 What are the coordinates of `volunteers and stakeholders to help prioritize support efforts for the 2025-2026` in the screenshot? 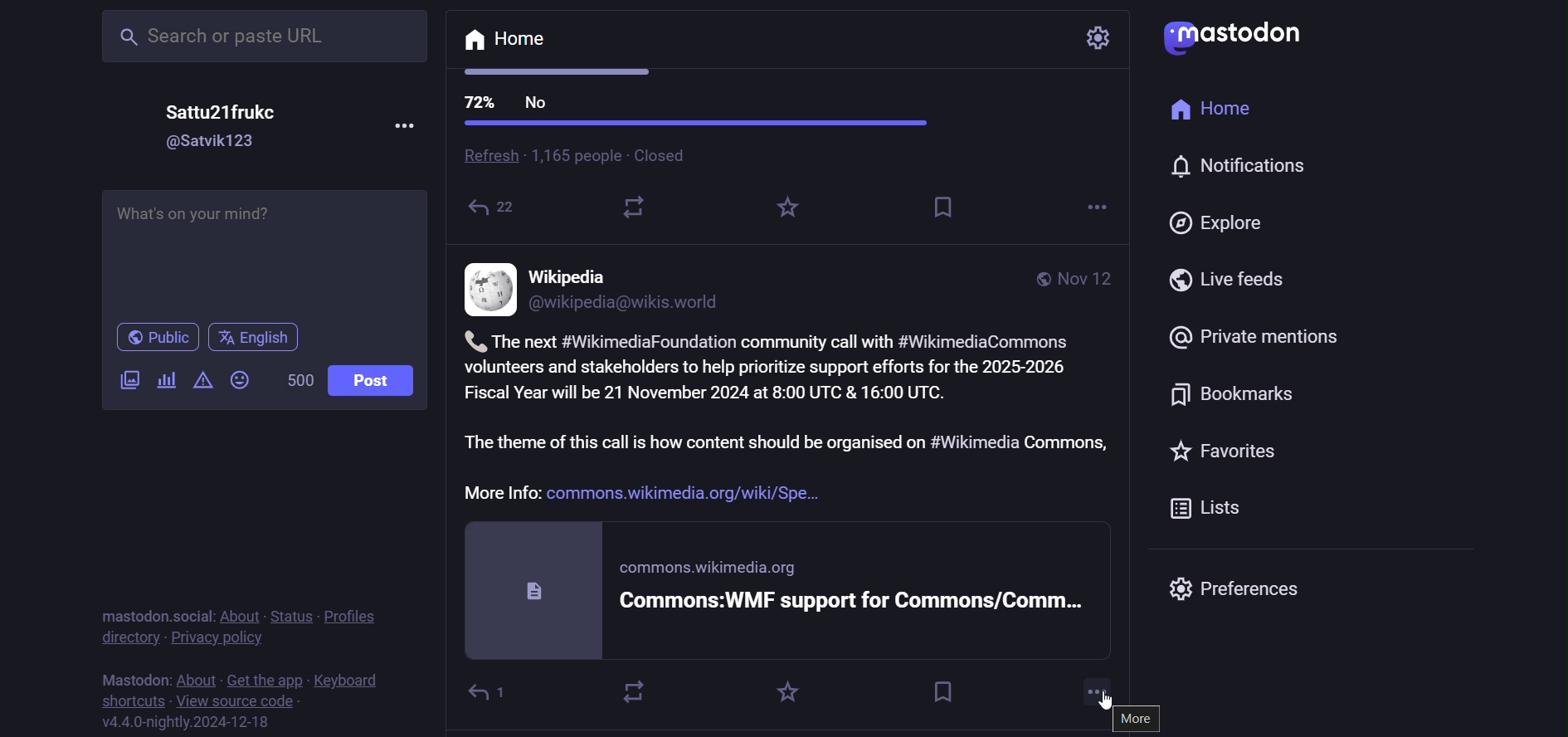 It's located at (772, 365).